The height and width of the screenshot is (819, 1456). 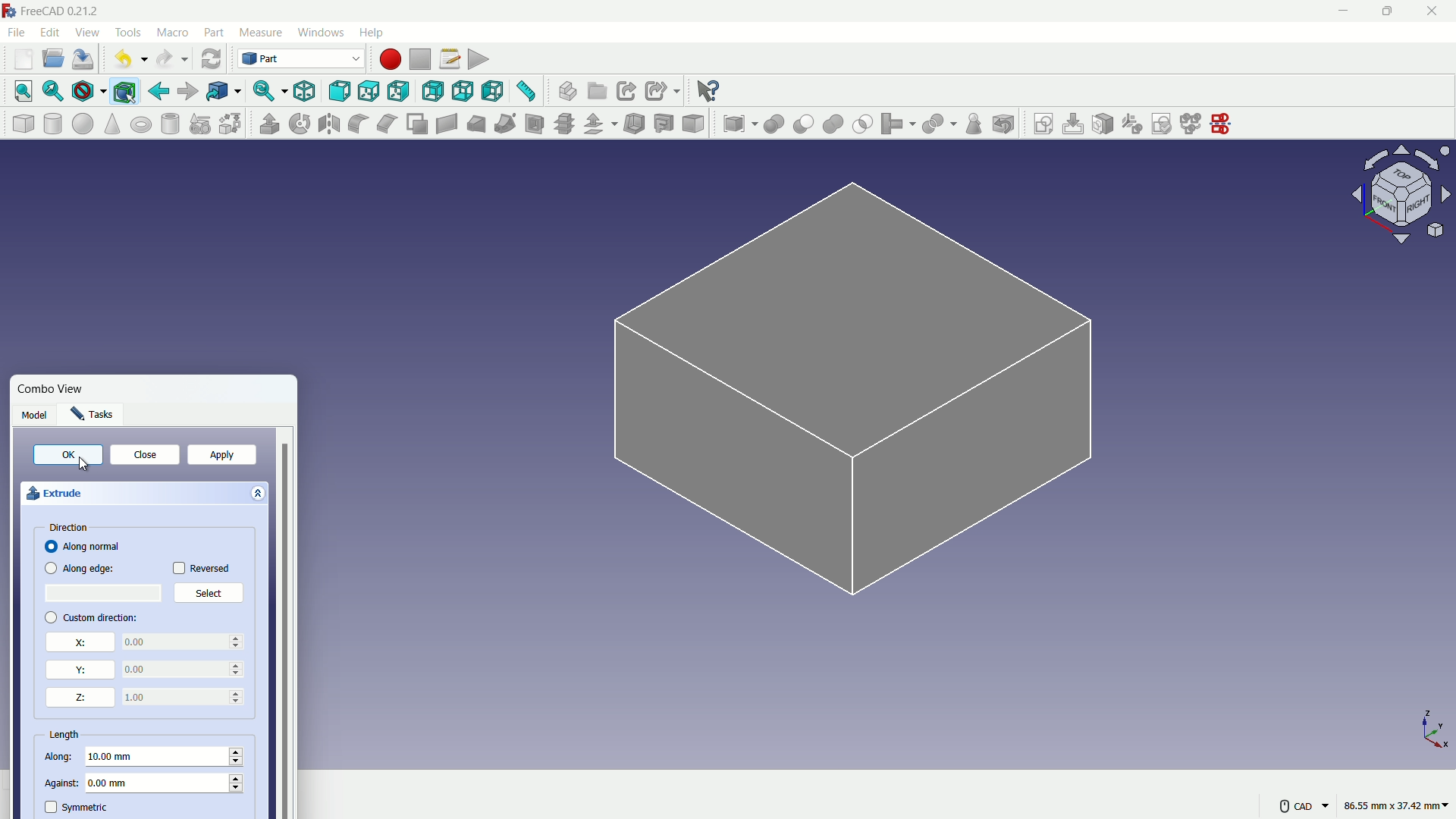 I want to click on rotate direction, so click(x=1405, y=193).